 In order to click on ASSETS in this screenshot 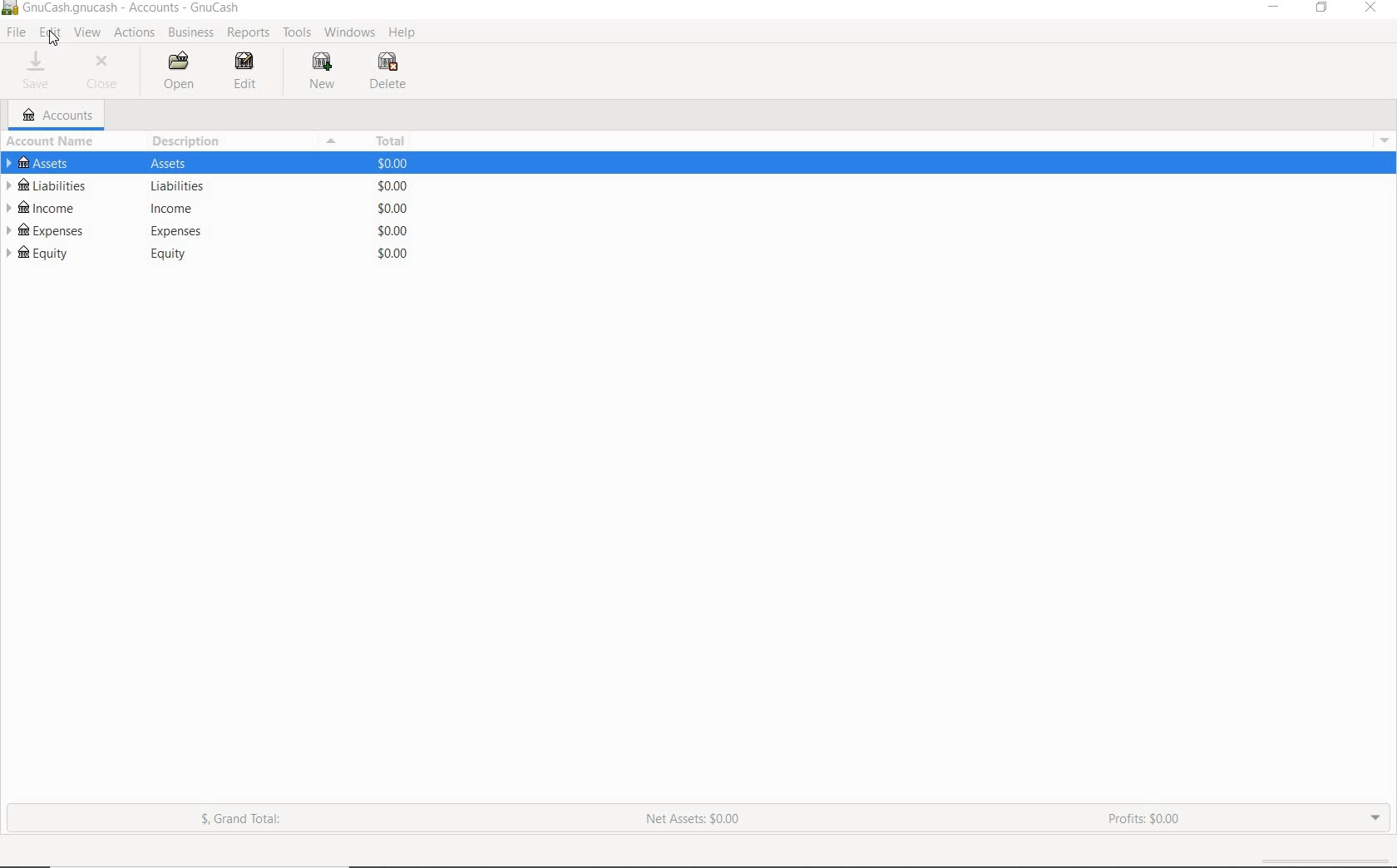, I will do `click(207, 164)`.